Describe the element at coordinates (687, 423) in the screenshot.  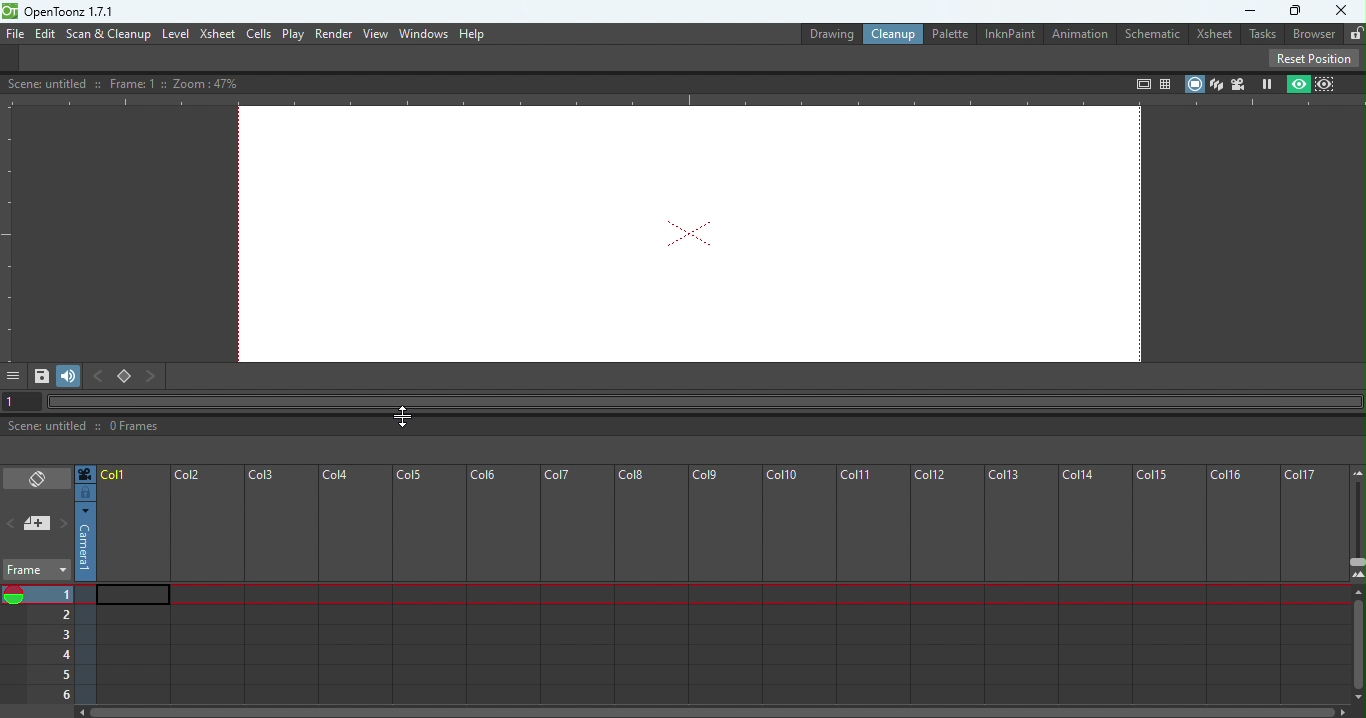
I see `Status bar` at that location.